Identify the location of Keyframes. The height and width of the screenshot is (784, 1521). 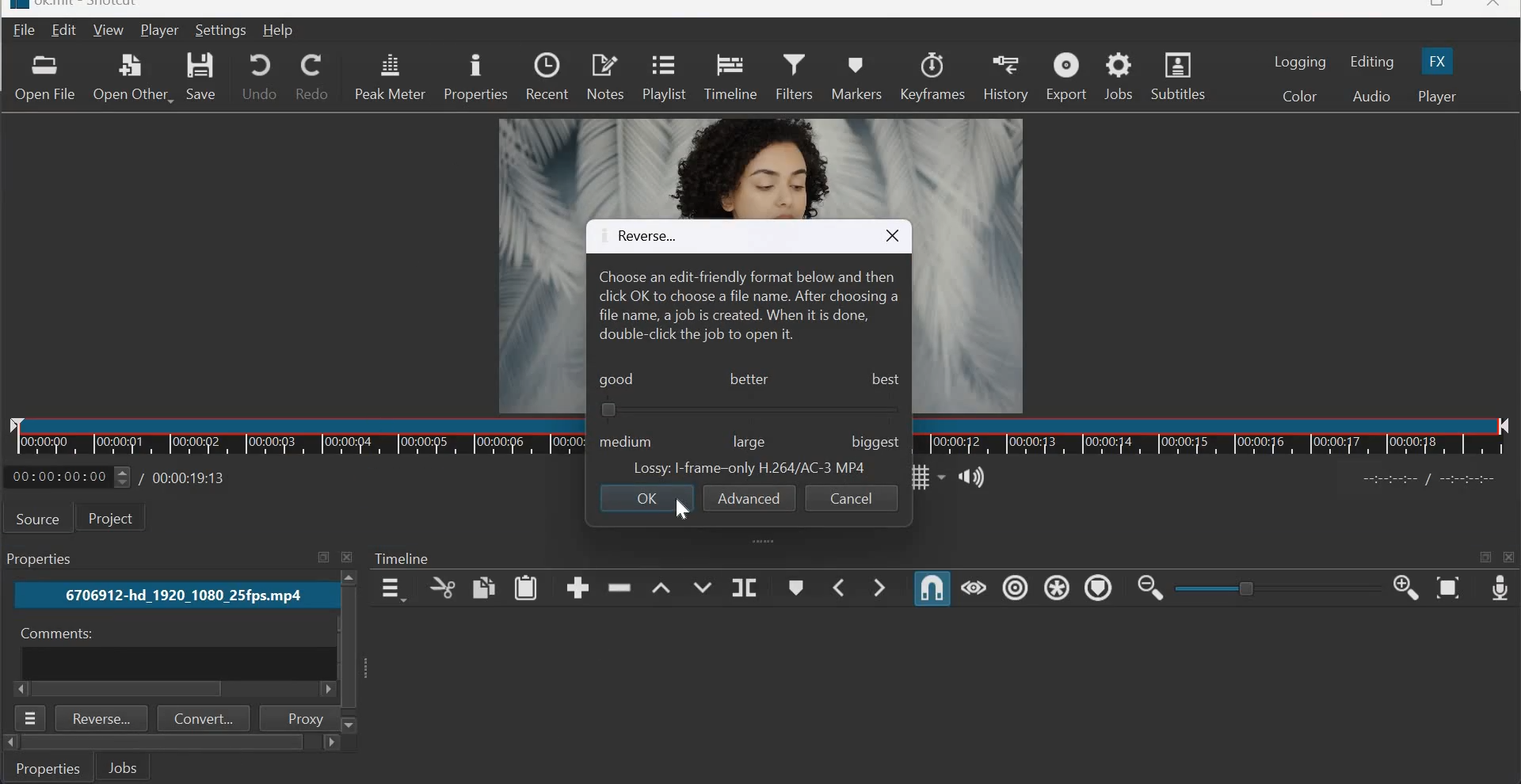
(933, 75).